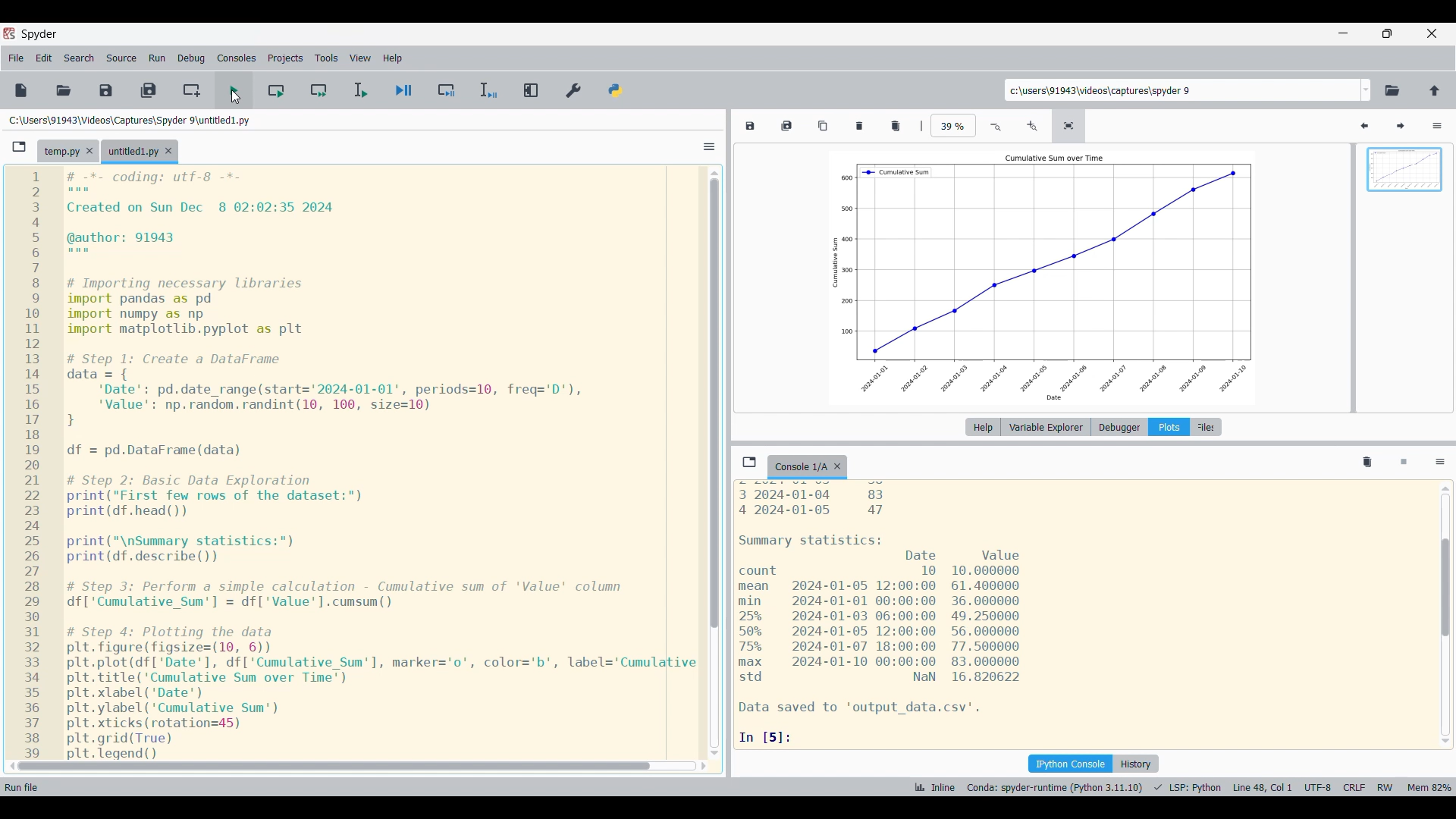 This screenshot has width=1456, height=819. Describe the element at coordinates (191, 91) in the screenshot. I see `Create new cell at the current line` at that location.